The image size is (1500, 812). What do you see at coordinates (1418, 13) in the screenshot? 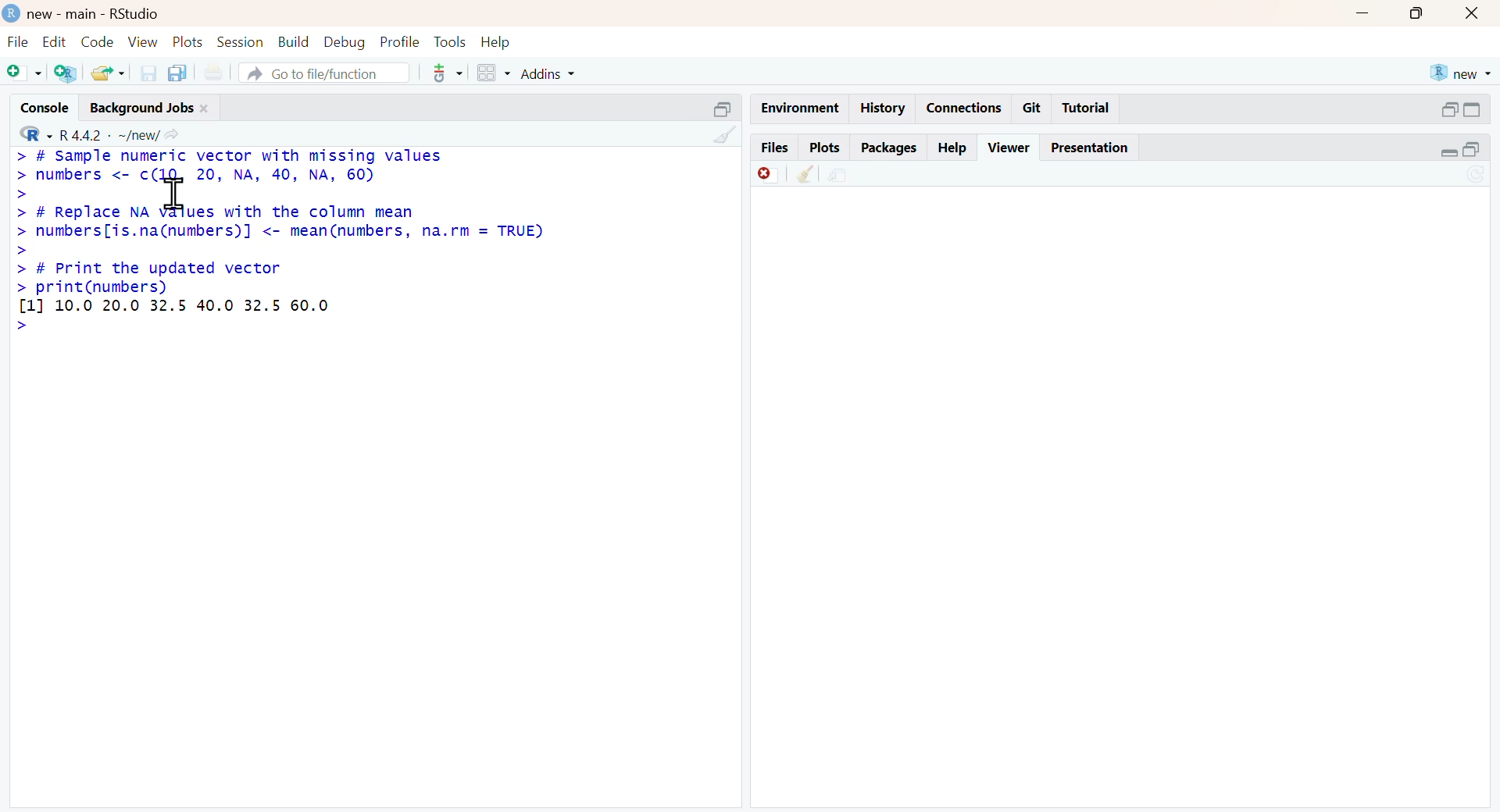
I see `maximise` at bounding box center [1418, 13].